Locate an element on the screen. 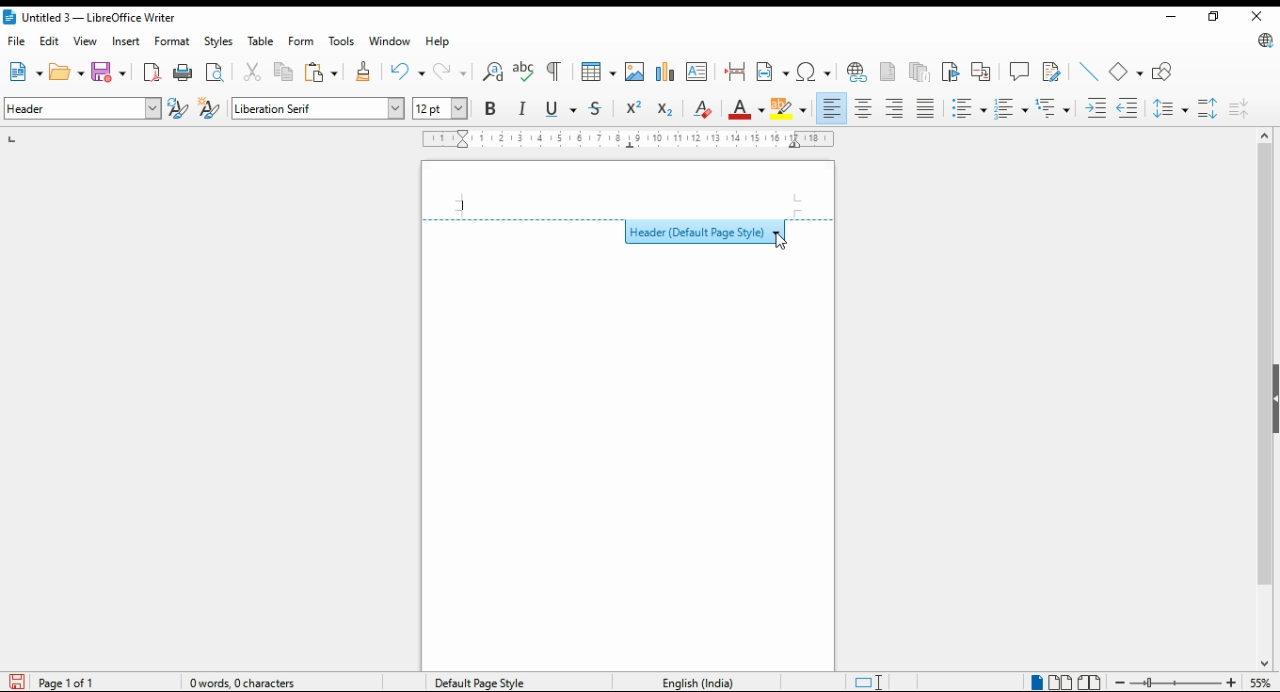  align right is located at coordinates (895, 108).